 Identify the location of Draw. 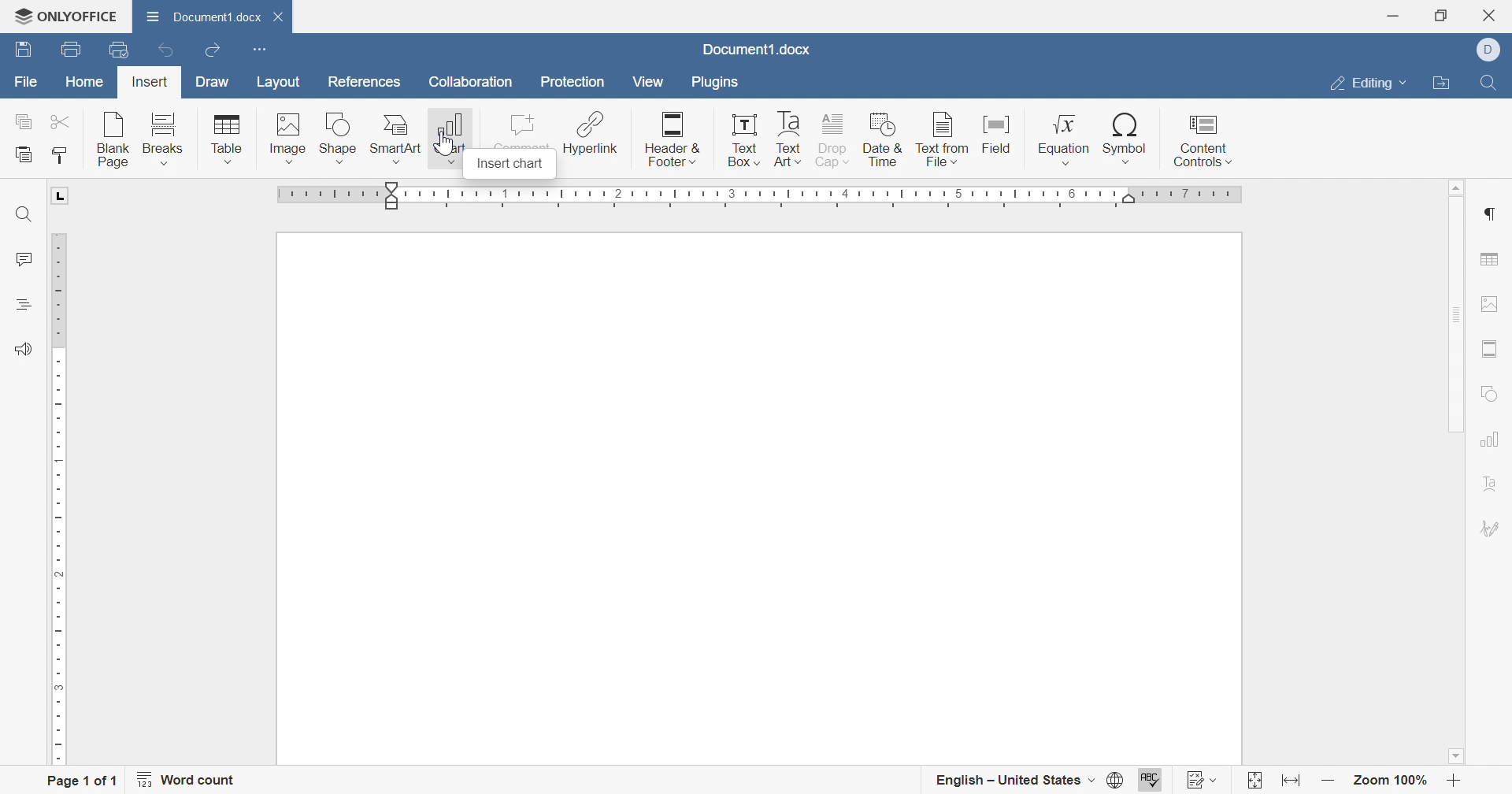
(214, 80).